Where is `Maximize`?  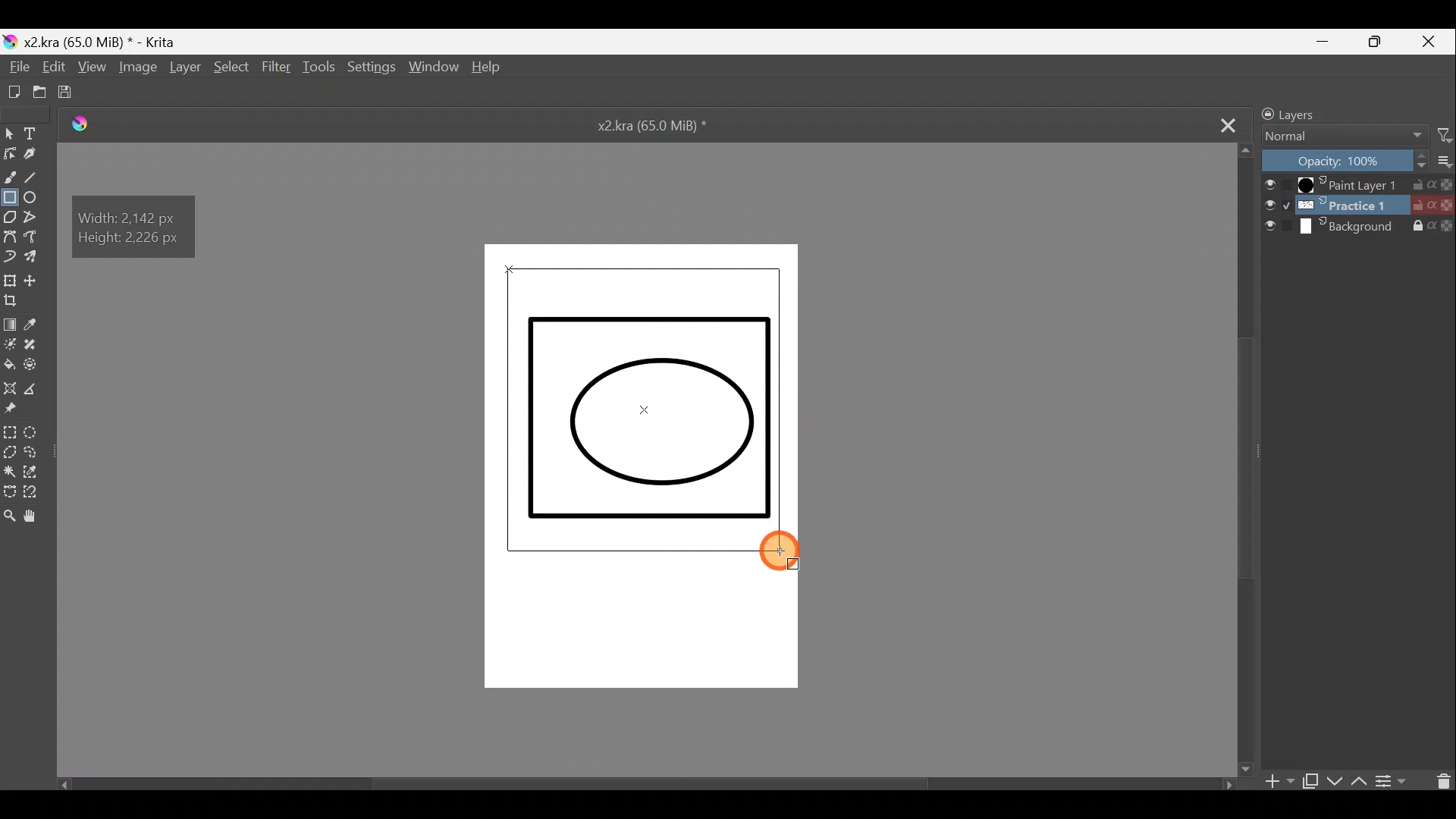
Maximize is located at coordinates (1382, 42).